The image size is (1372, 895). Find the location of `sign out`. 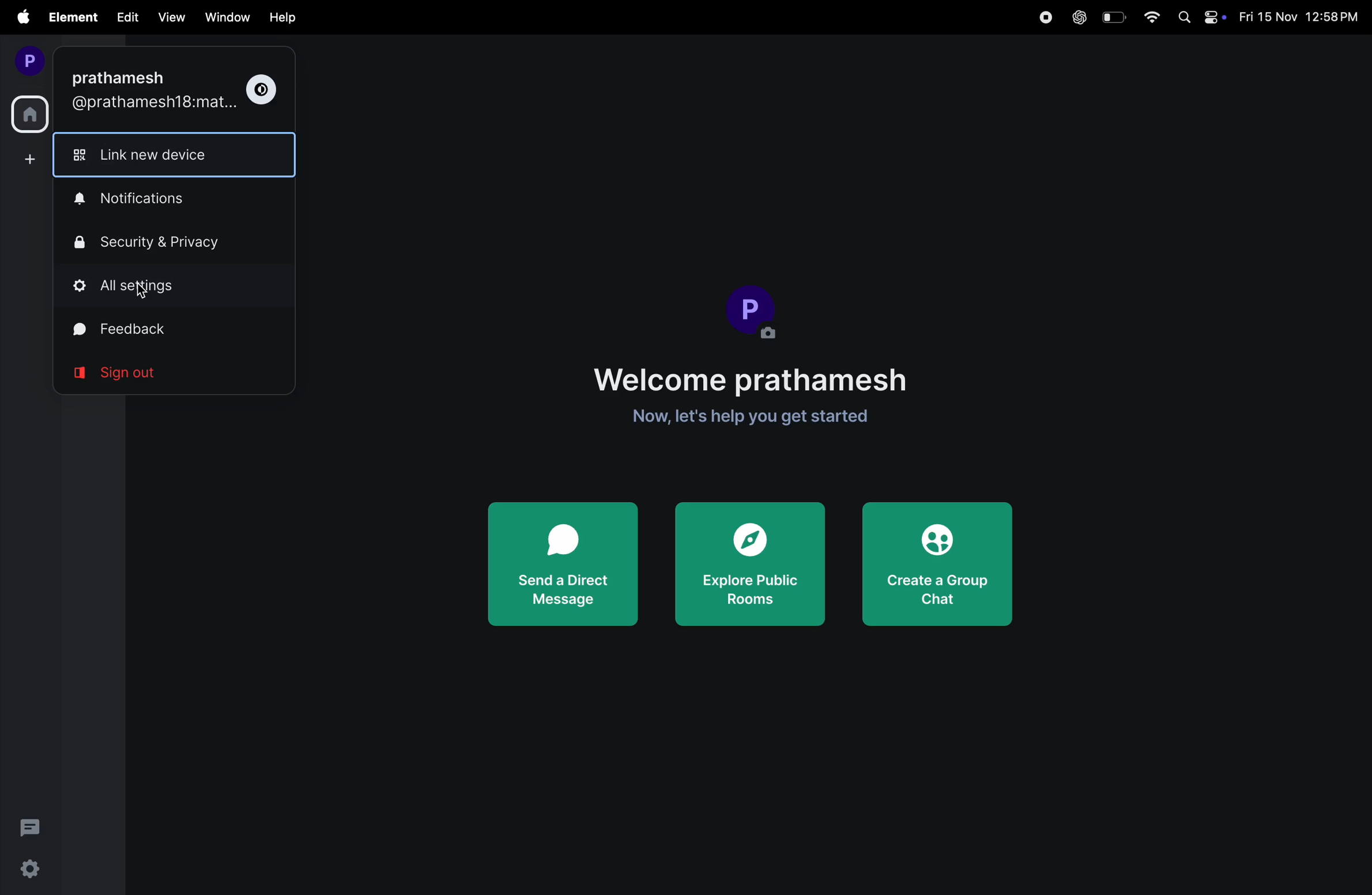

sign out is located at coordinates (176, 375).